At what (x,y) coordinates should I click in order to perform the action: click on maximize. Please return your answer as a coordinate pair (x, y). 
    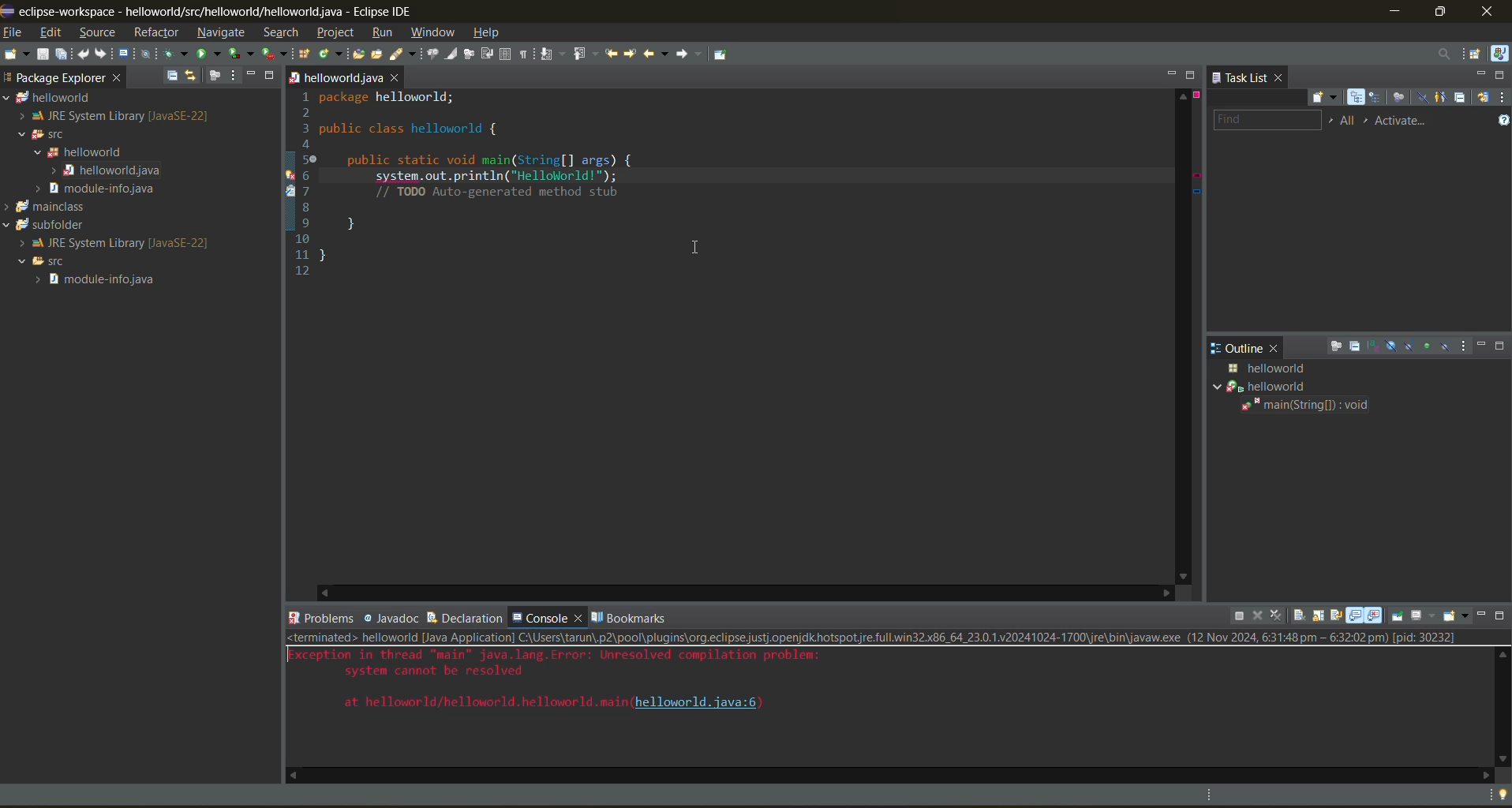
    Looking at the image, I should click on (1441, 13).